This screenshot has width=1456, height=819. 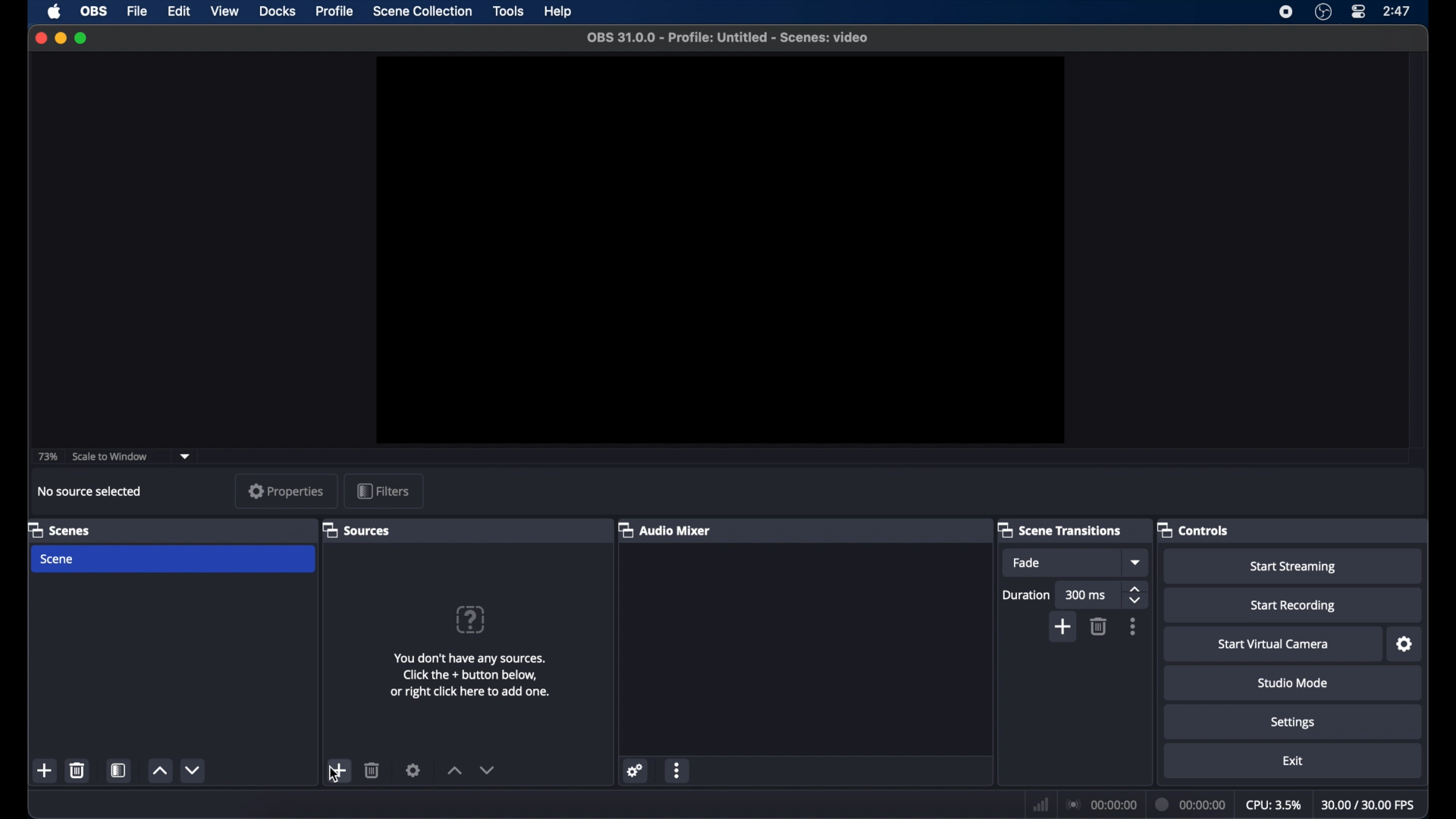 What do you see at coordinates (59, 531) in the screenshot?
I see `scenes` at bounding box center [59, 531].